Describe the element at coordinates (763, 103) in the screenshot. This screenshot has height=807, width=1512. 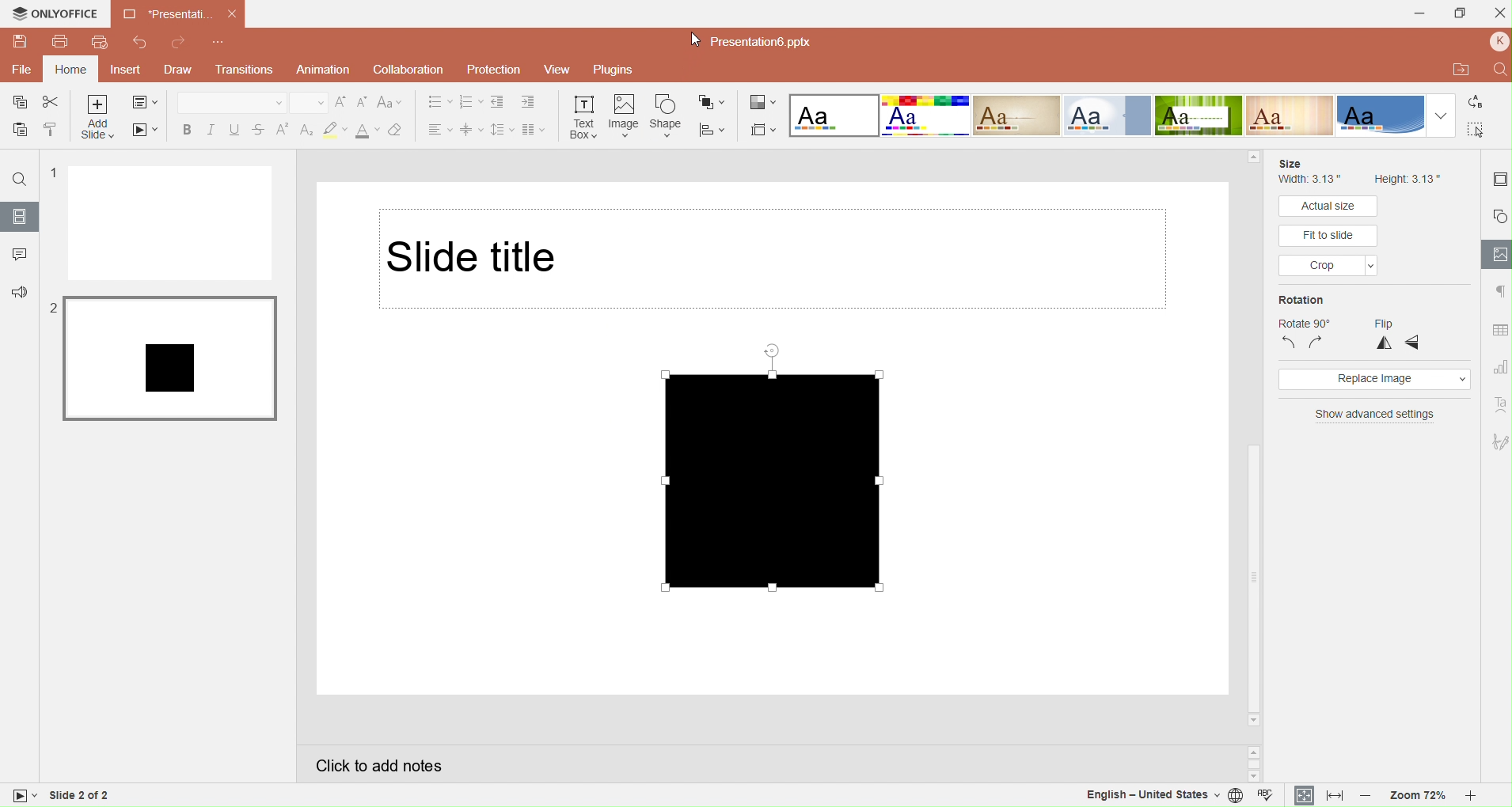
I see `Change color theme` at that location.